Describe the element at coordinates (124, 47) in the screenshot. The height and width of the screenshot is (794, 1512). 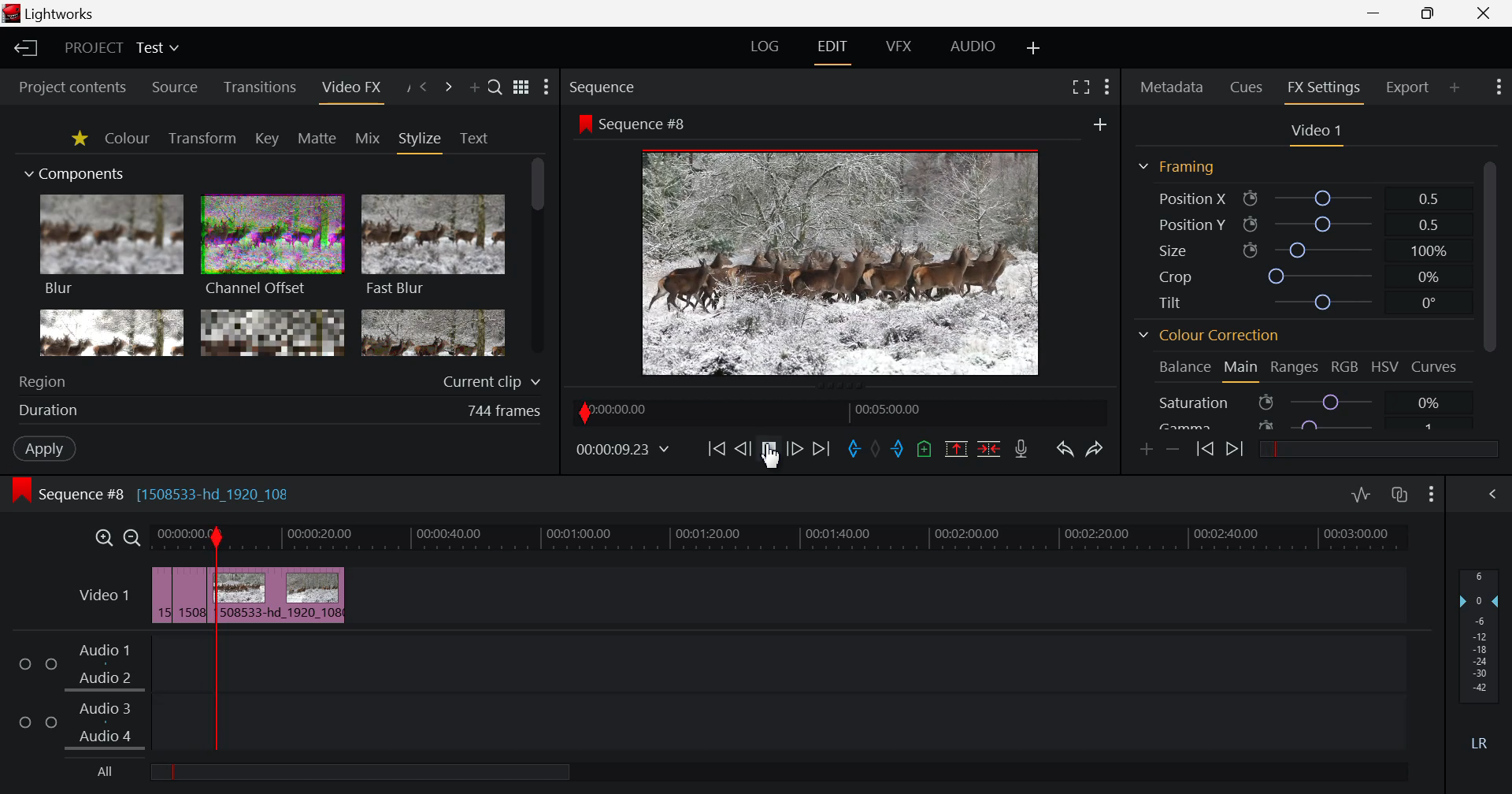
I see `Project Title` at that location.